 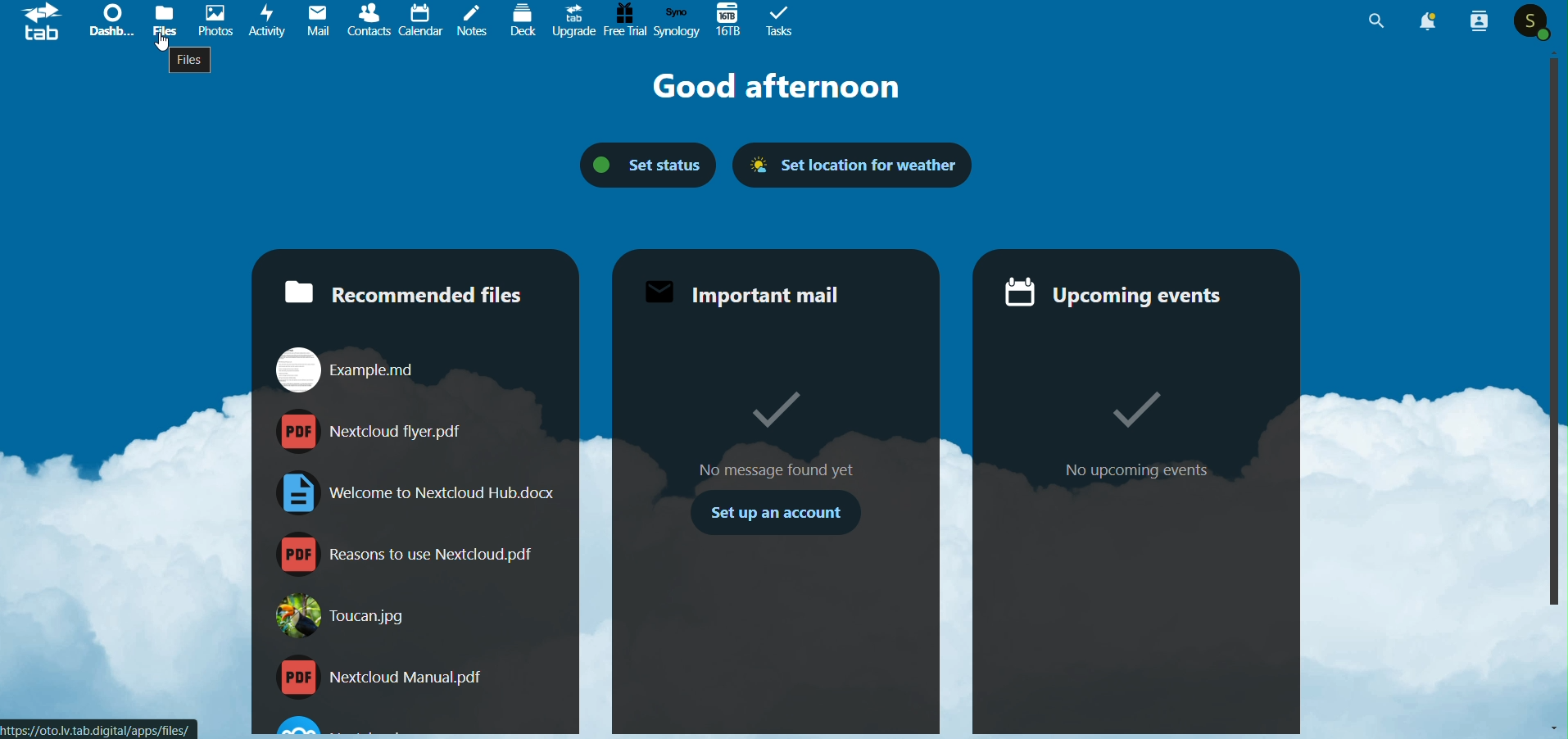 What do you see at coordinates (783, 23) in the screenshot?
I see `Tasks` at bounding box center [783, 23].